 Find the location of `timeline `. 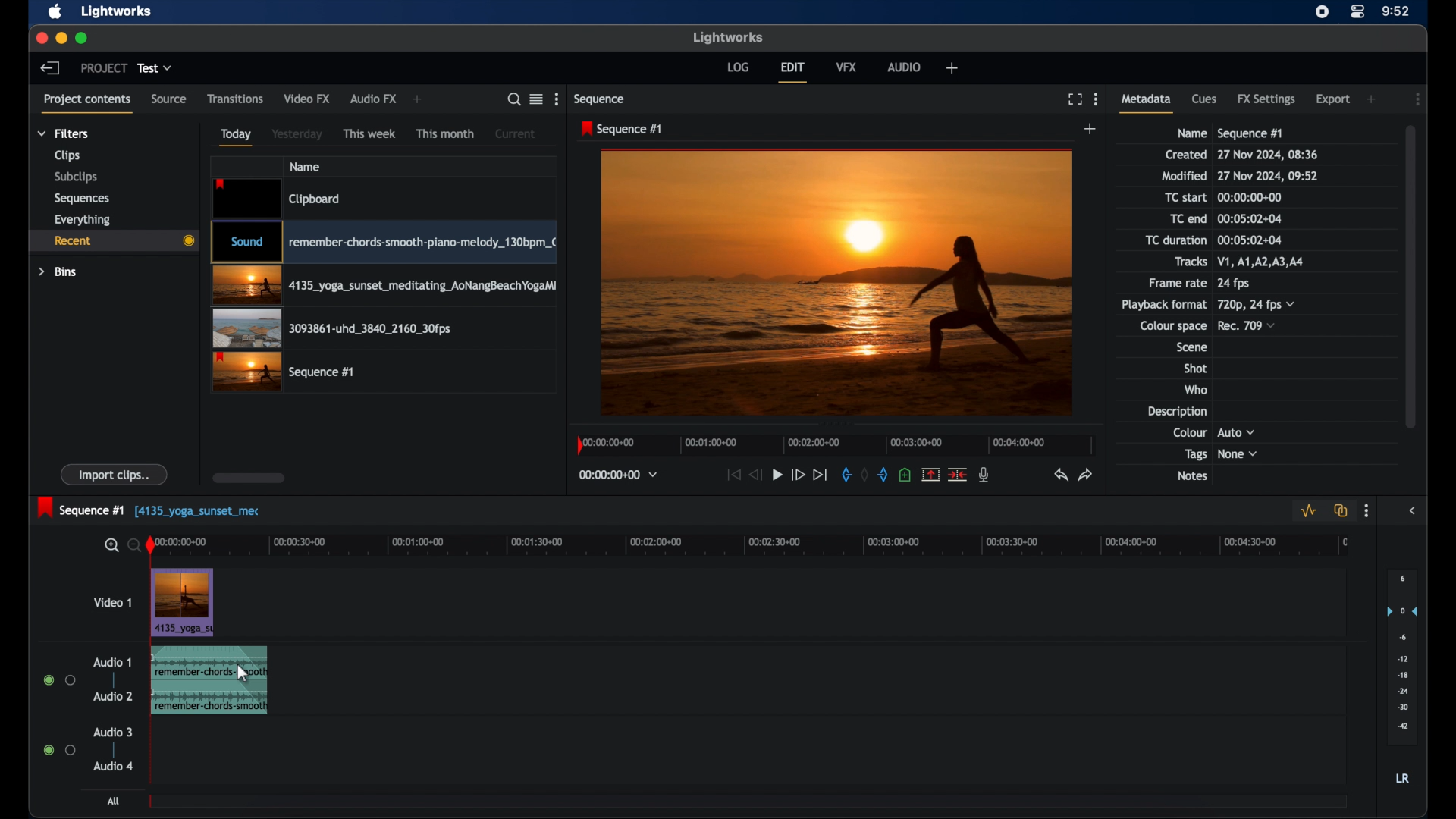

timeline  is located at coordinates (759, 546).